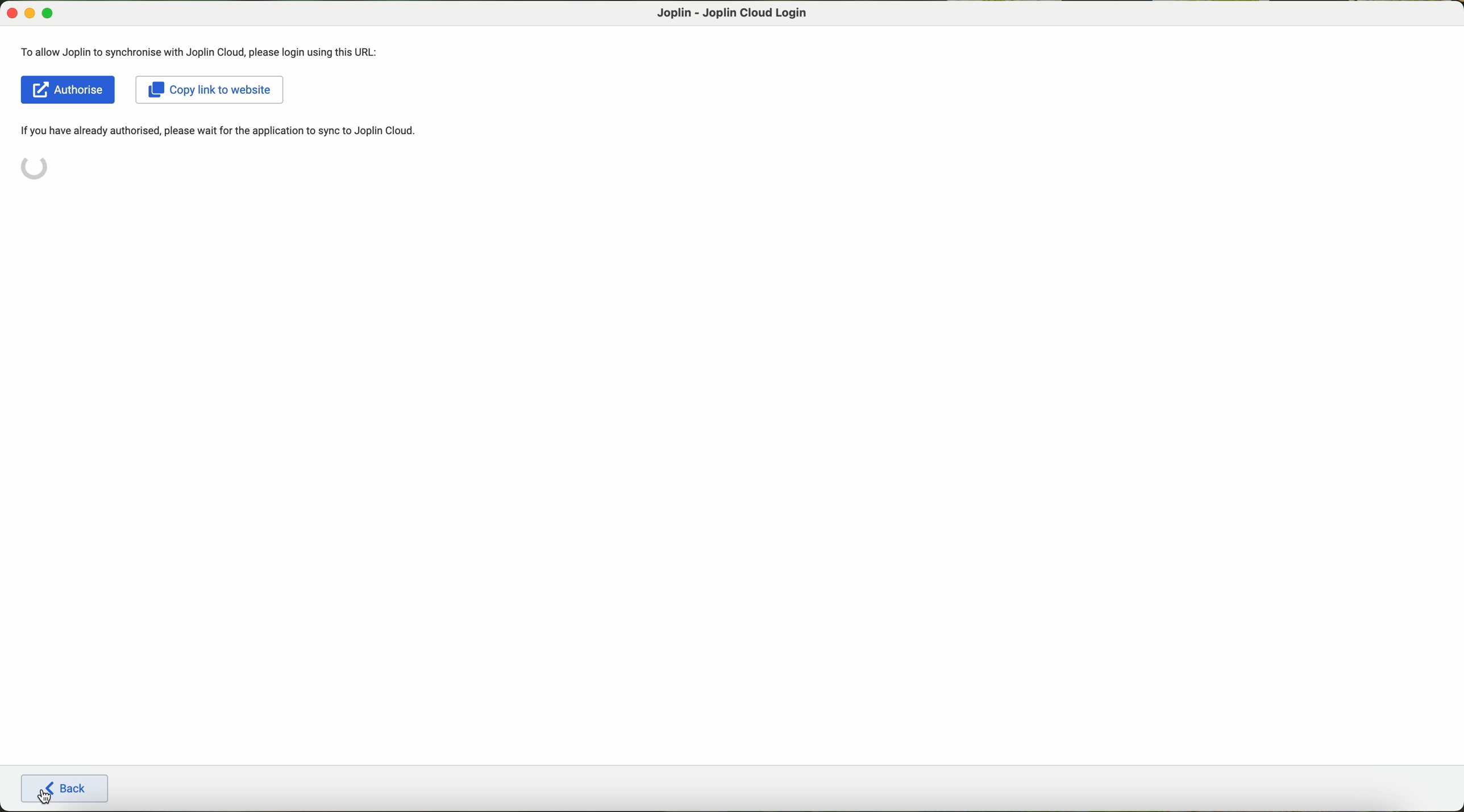 This screenshot has width=1464, height=812. I want to click on If you have already authorised, please wait for the application to sync to Joplin Cloud., so click(226, 131).